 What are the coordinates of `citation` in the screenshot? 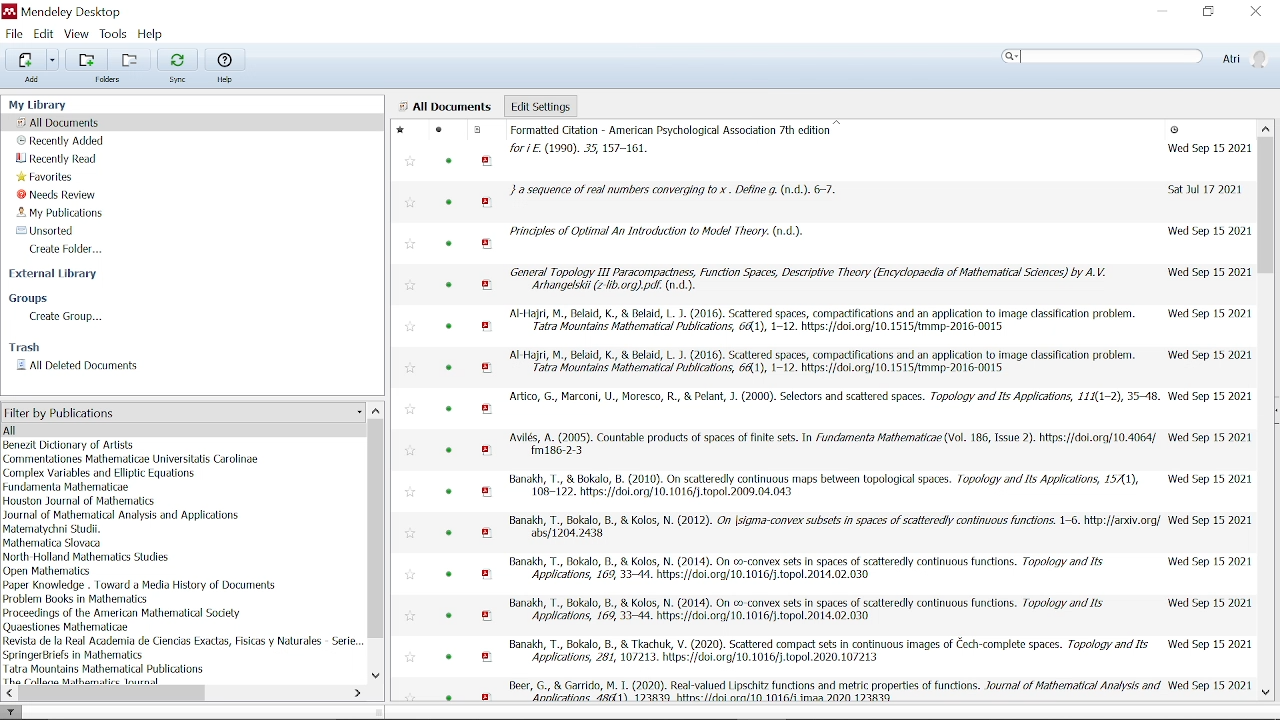 It's located at (806, 279).